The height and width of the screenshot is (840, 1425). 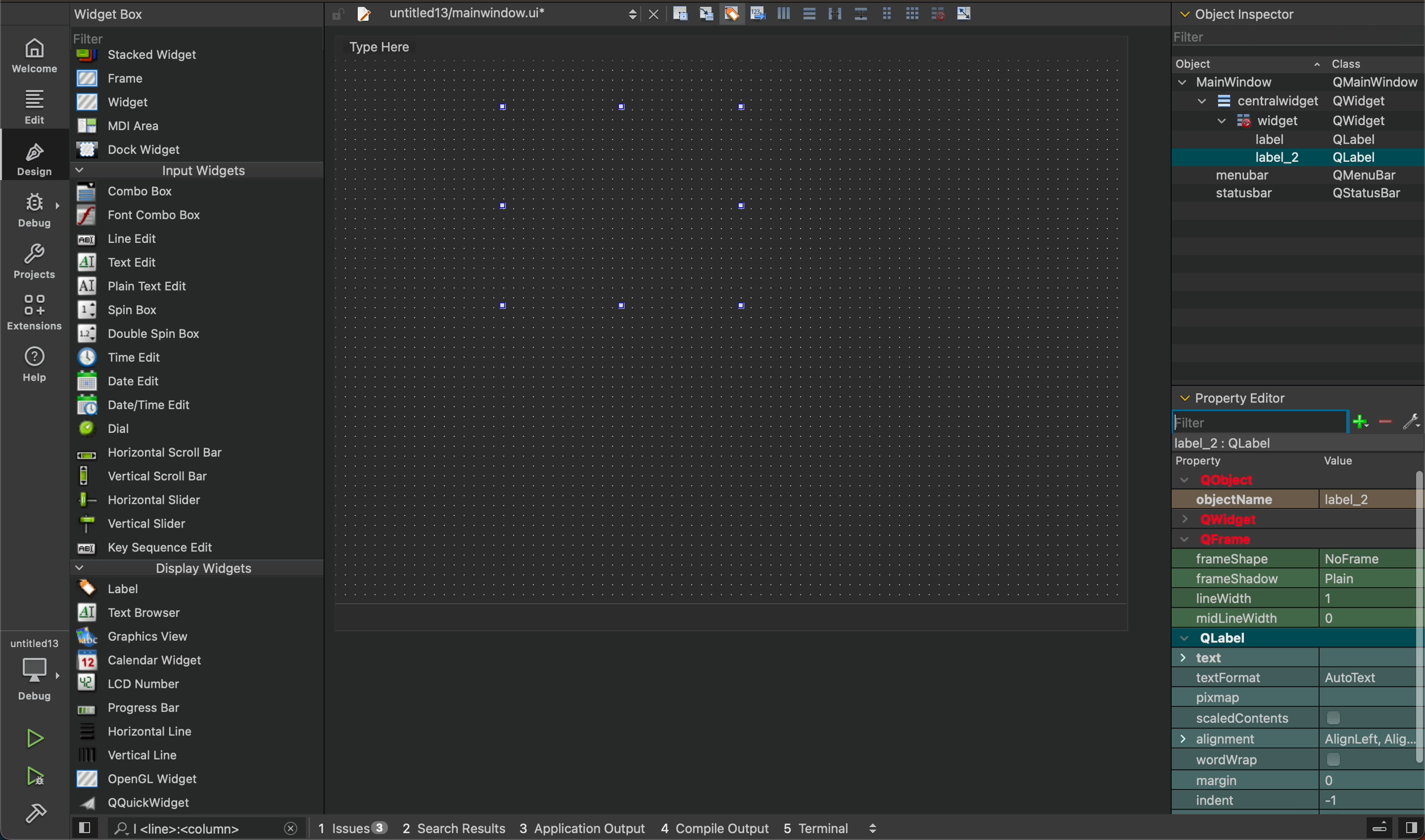 I want to click on , so click(x=1299, y=500).